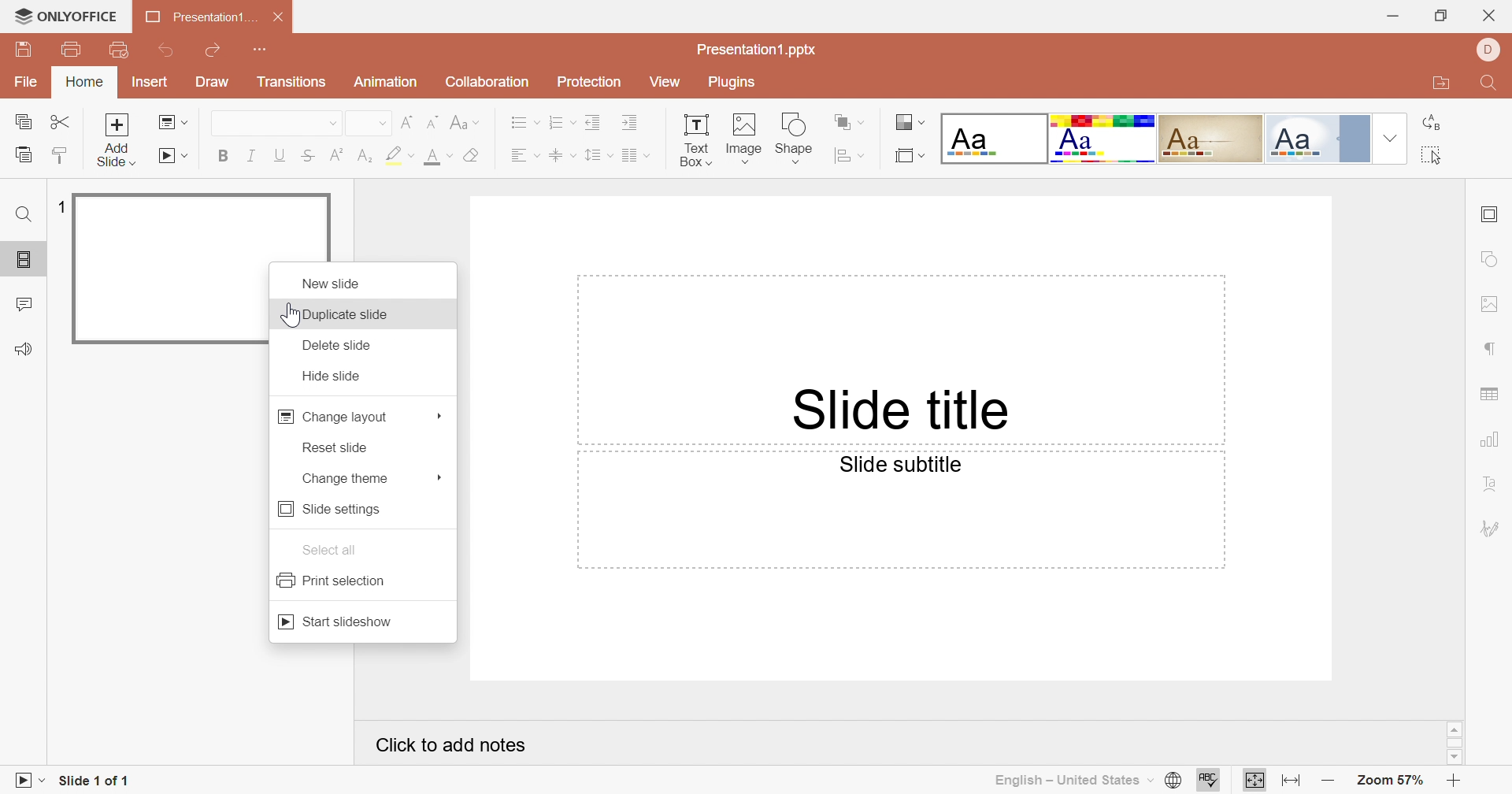 The image size is (1512, 794). I want to click on Align Text to Middle, so click(557, 157).